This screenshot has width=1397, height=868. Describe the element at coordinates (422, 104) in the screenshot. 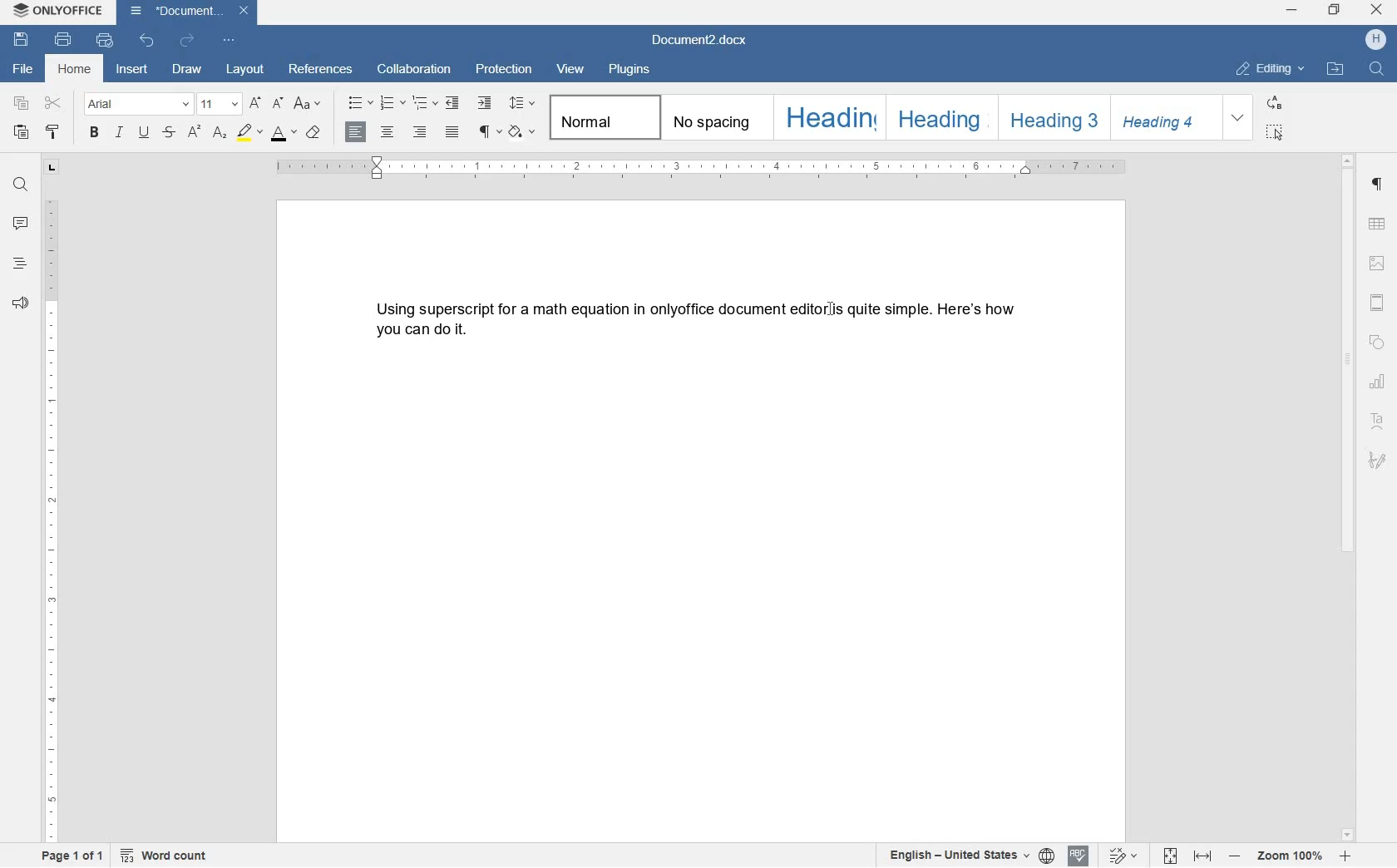

I see `multilevel list` at that location.